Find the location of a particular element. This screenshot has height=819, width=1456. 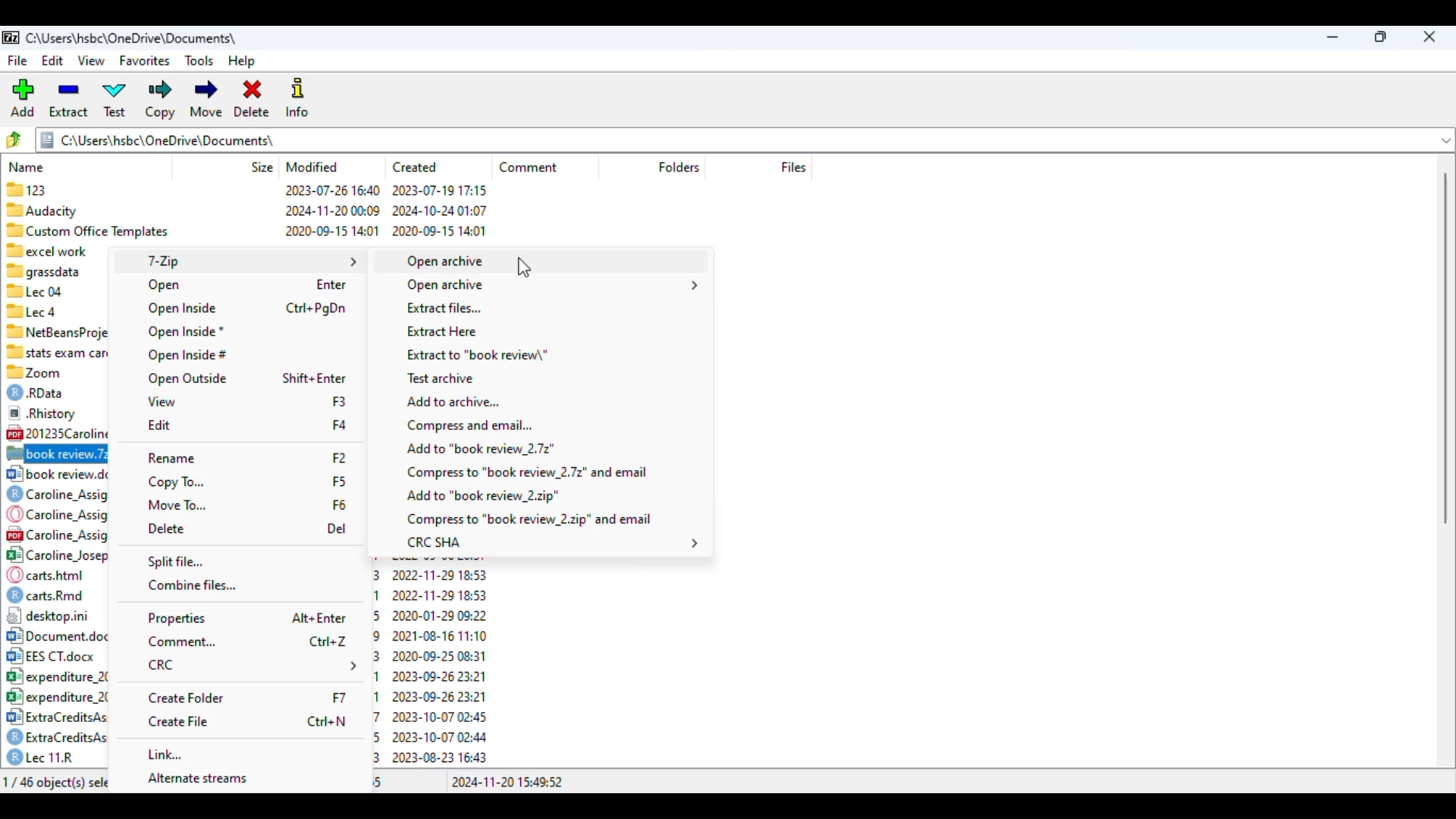

add to archive is located at coordinates (454, 403).